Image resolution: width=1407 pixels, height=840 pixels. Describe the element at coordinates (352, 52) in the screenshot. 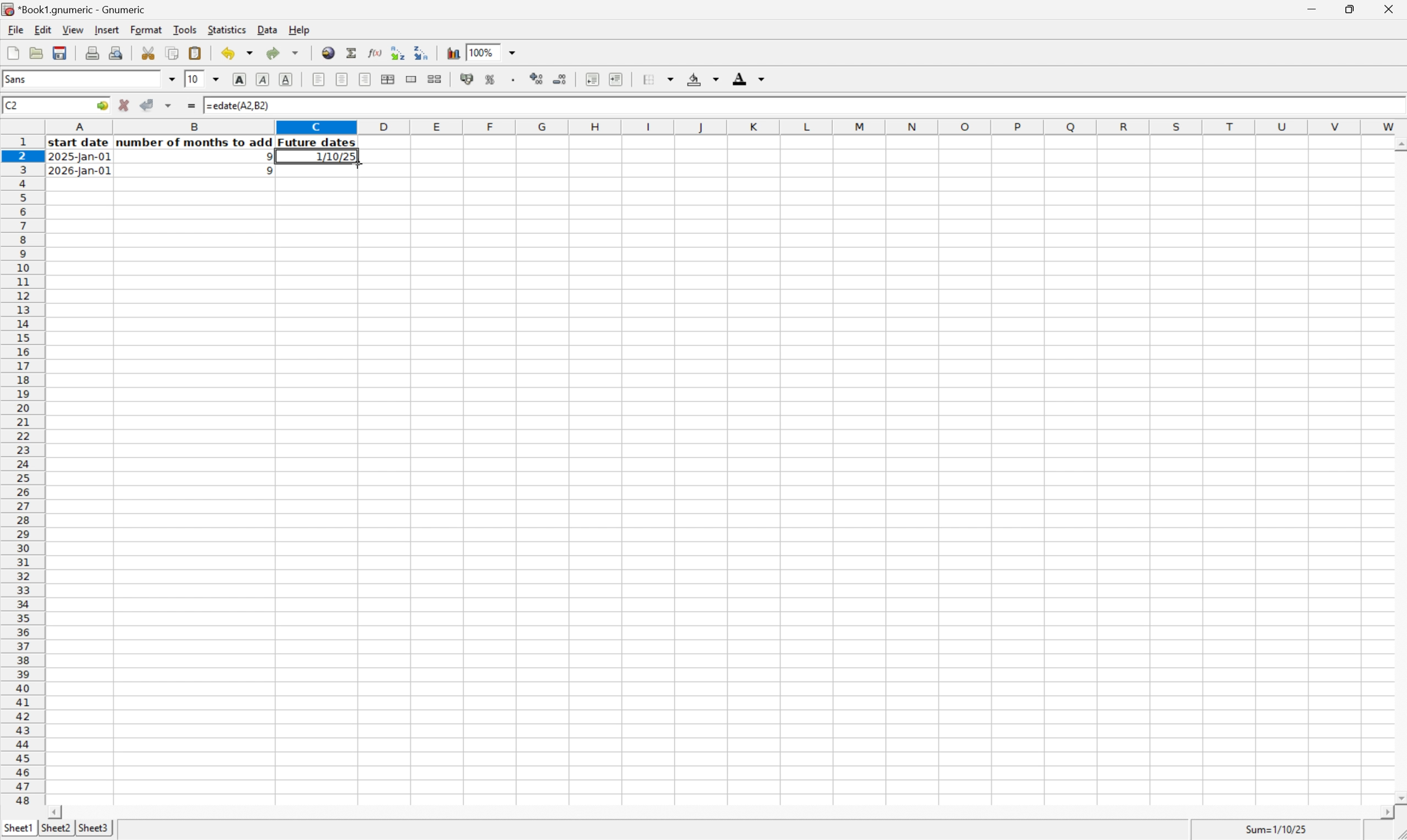

I see `Sum in current cell` at that location.